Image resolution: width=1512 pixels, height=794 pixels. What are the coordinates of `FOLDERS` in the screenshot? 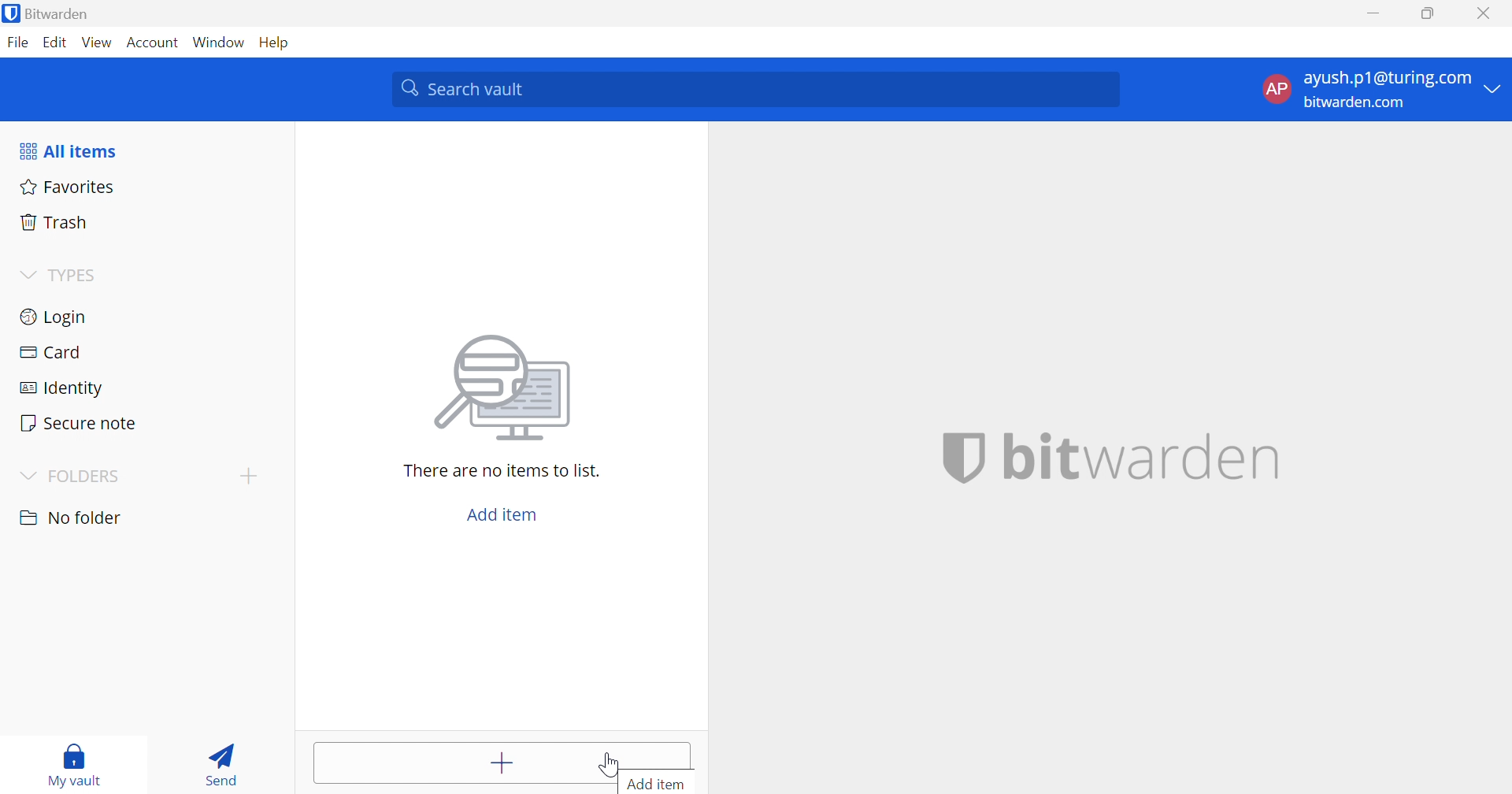 It's located at (87, 477).